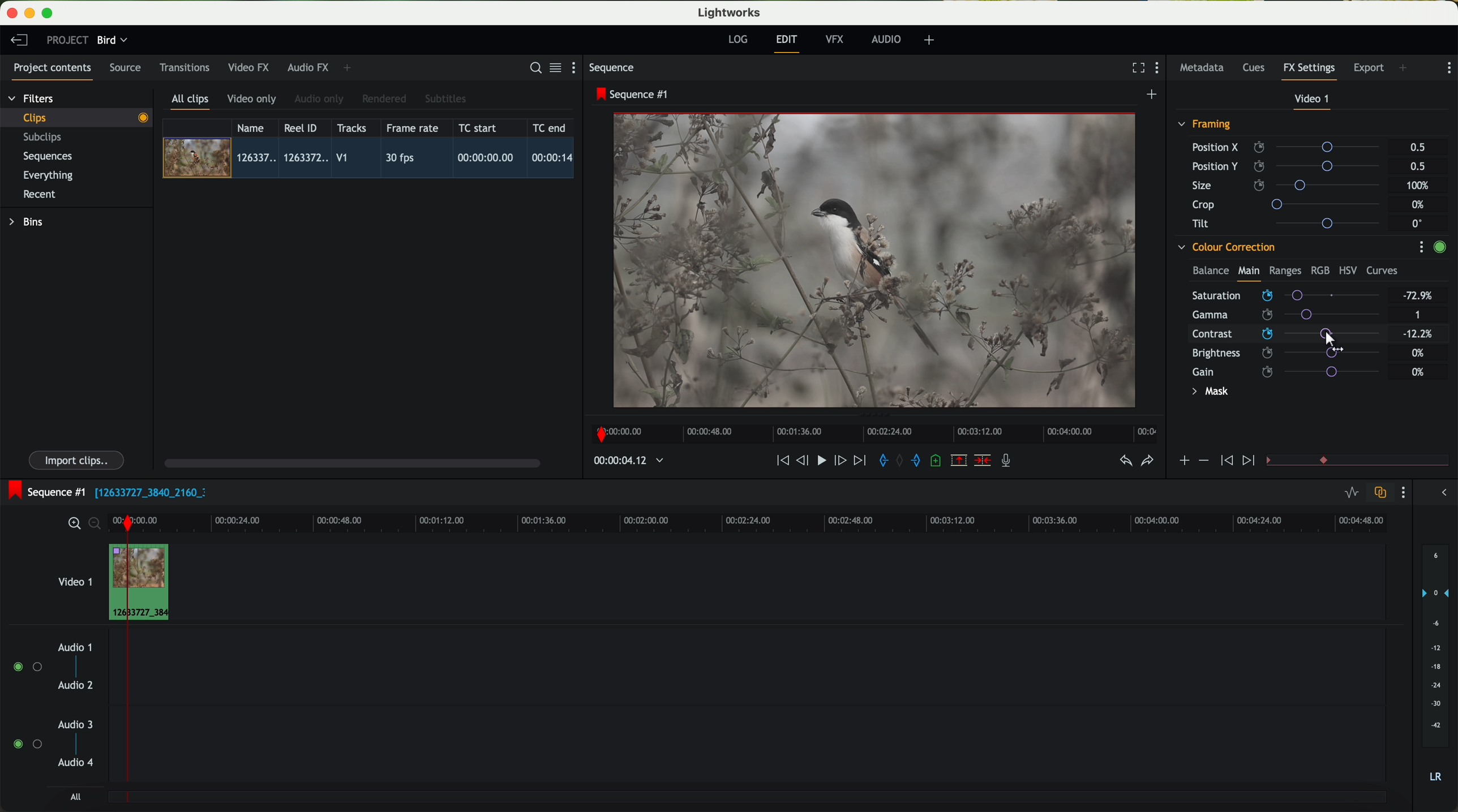 The image size is (1458, 812). I want to click on black, so click(146, 491).